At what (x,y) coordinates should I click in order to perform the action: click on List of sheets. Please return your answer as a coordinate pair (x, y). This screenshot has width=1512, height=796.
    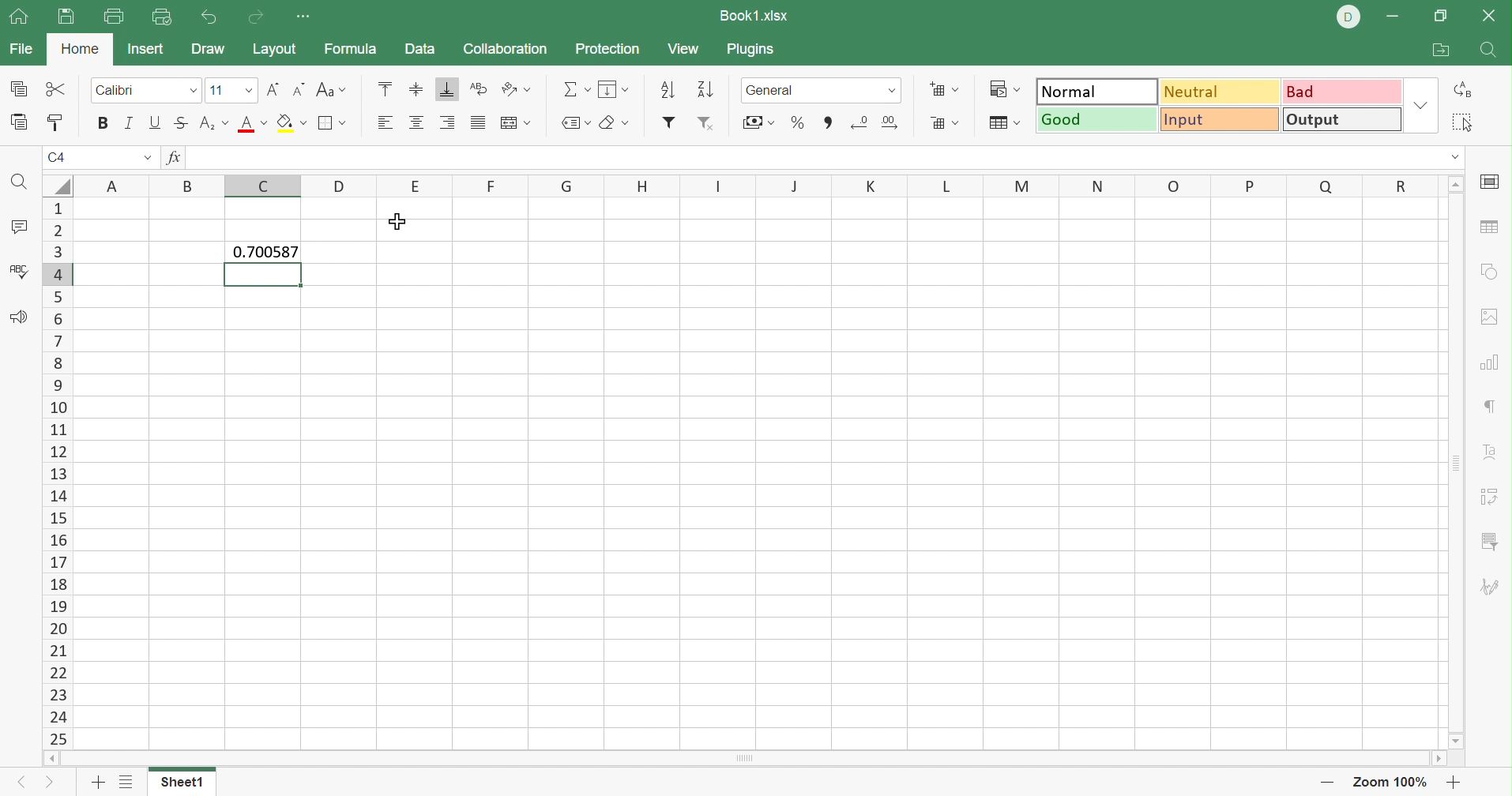
    Looking at the image, I should click on (128, 782).